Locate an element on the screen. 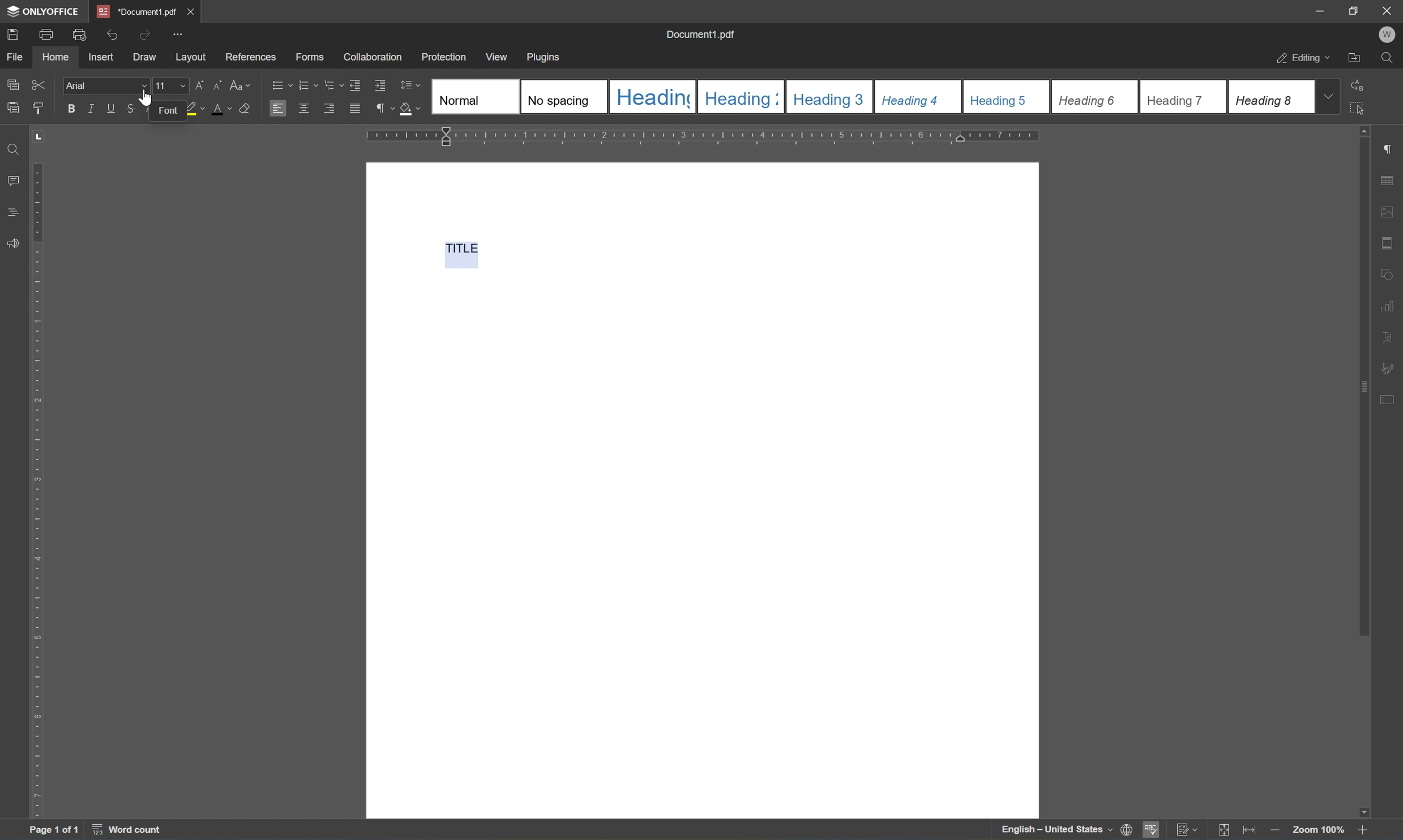 The image size is (1403, 840). feedback & support is located at coordinates (13, 244).